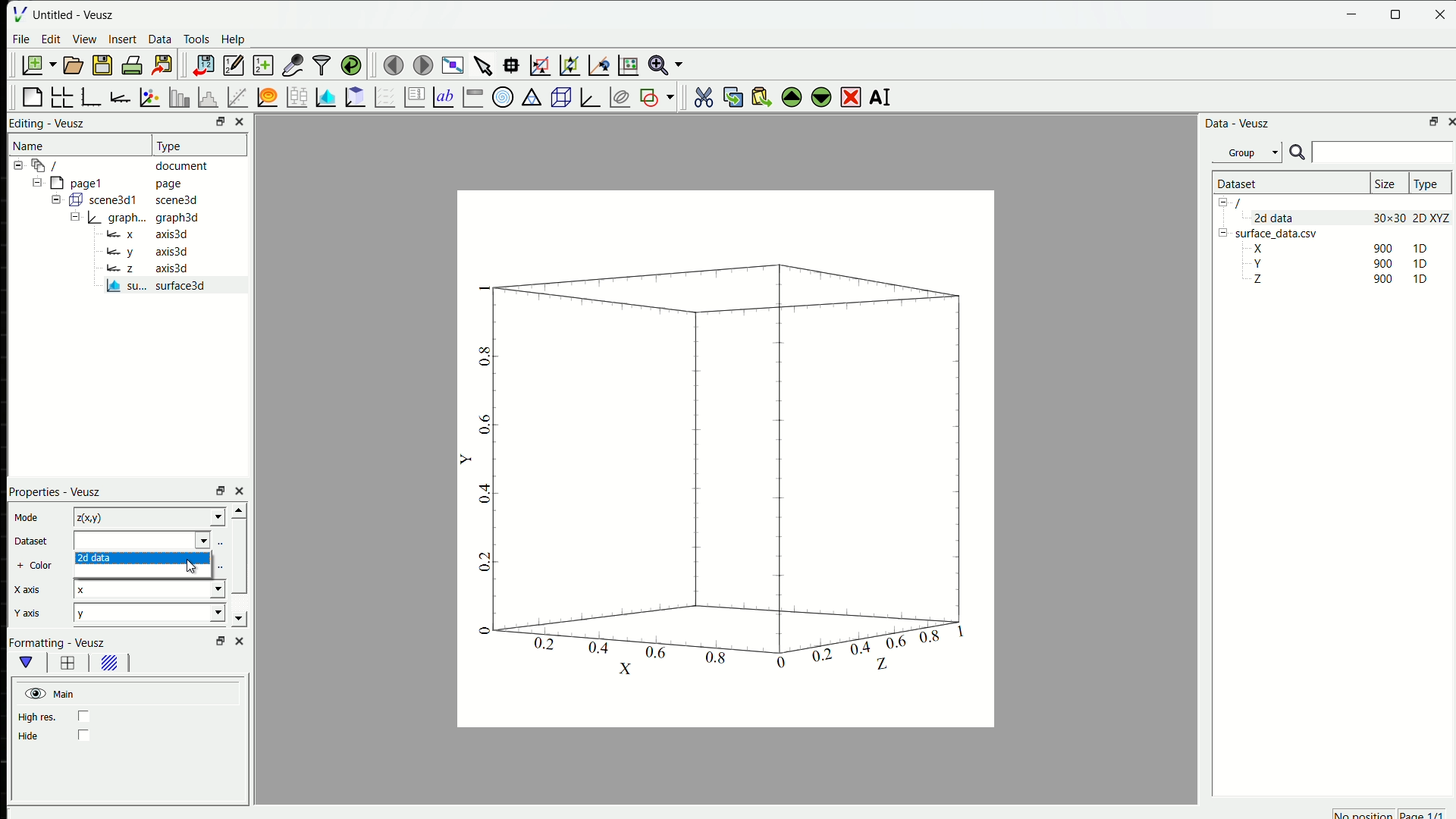 The height and width of the screenshot is (819, 1456). Describe the element at coordinates (352, 65) in the screenshot. I see `reload link datasets` at that location.